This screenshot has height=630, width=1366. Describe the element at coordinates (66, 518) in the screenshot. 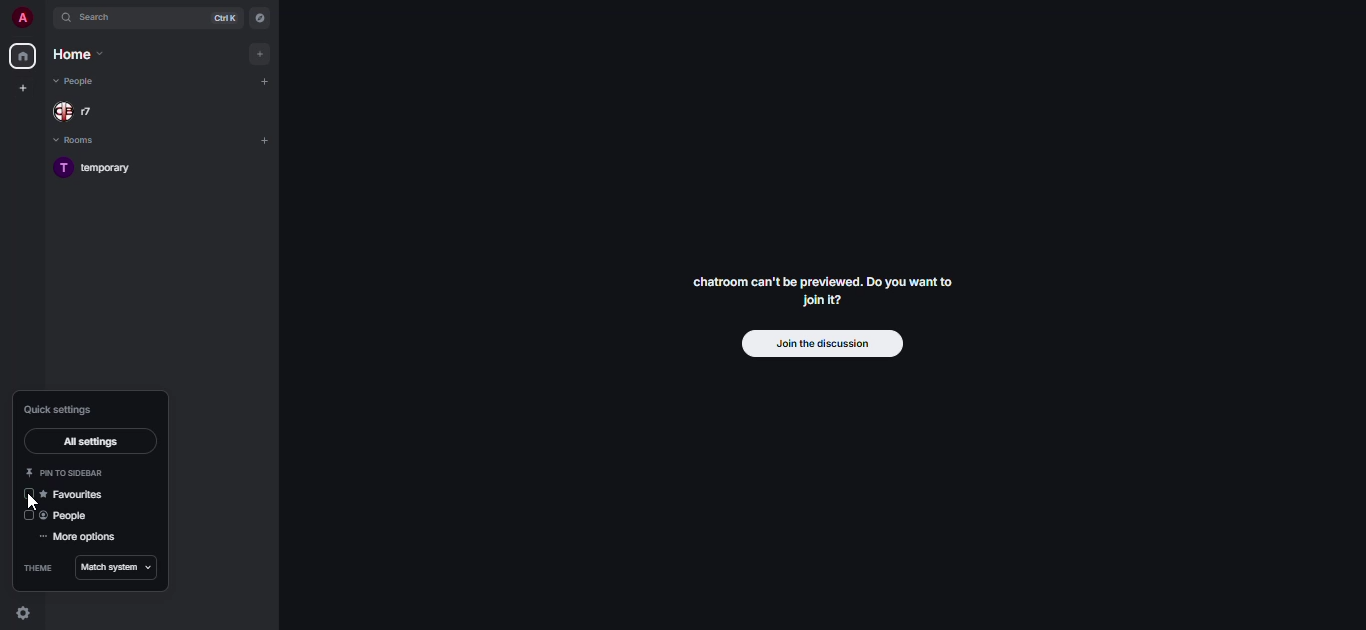

I see `people` at that location.